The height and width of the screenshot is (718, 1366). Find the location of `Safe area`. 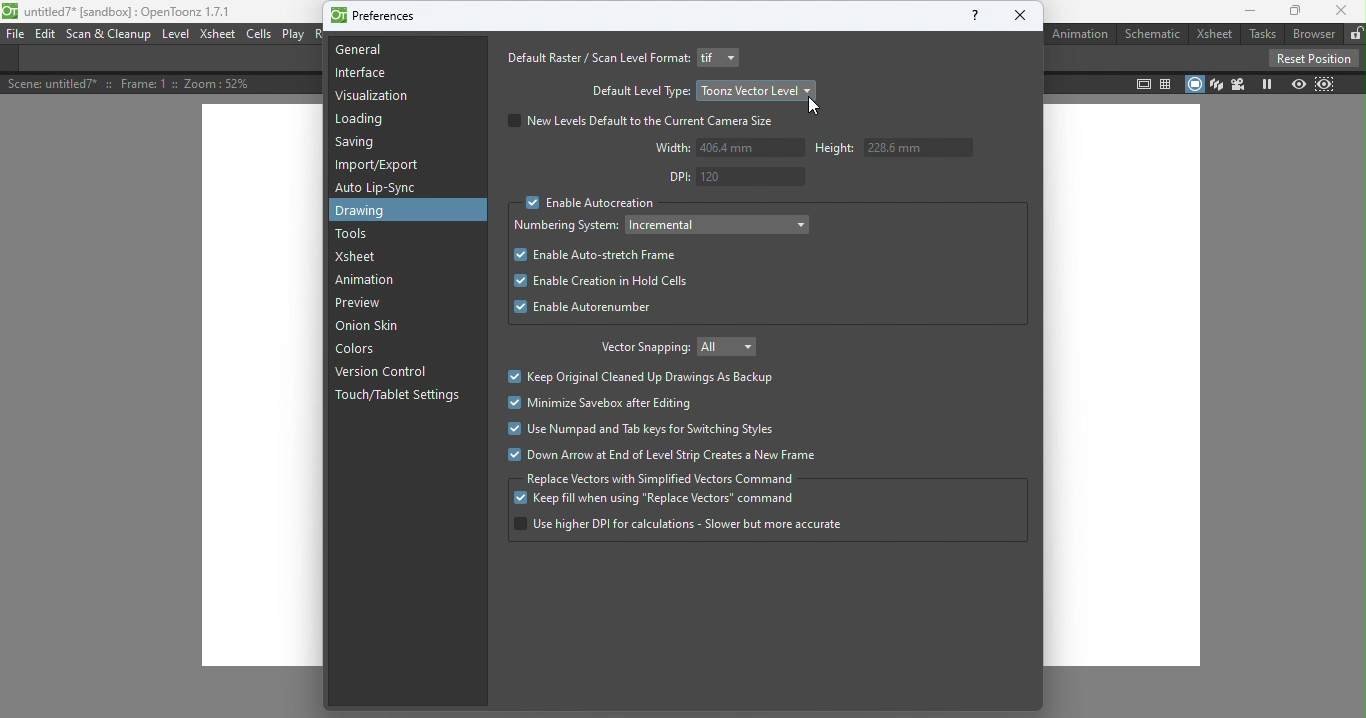

Safe area is located at coordinates (1143, 84).